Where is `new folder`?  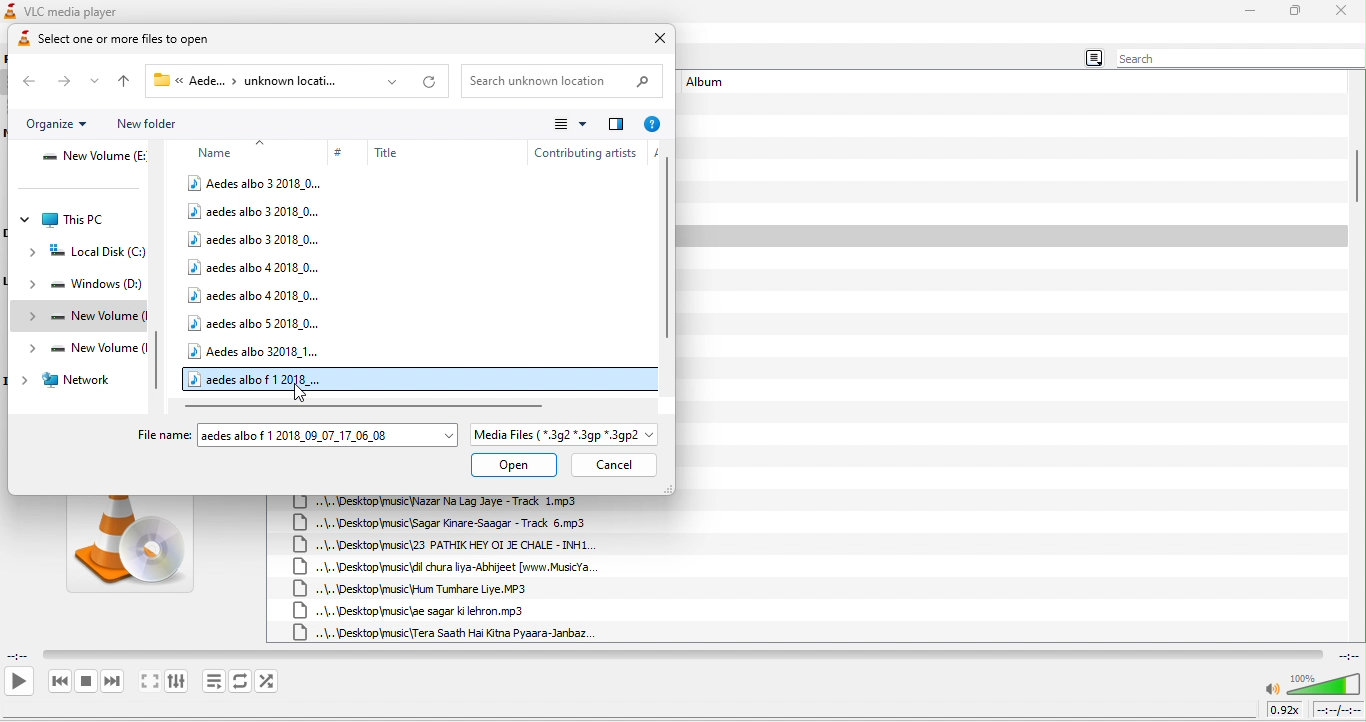
new folder is located at coordinates (147, 124).